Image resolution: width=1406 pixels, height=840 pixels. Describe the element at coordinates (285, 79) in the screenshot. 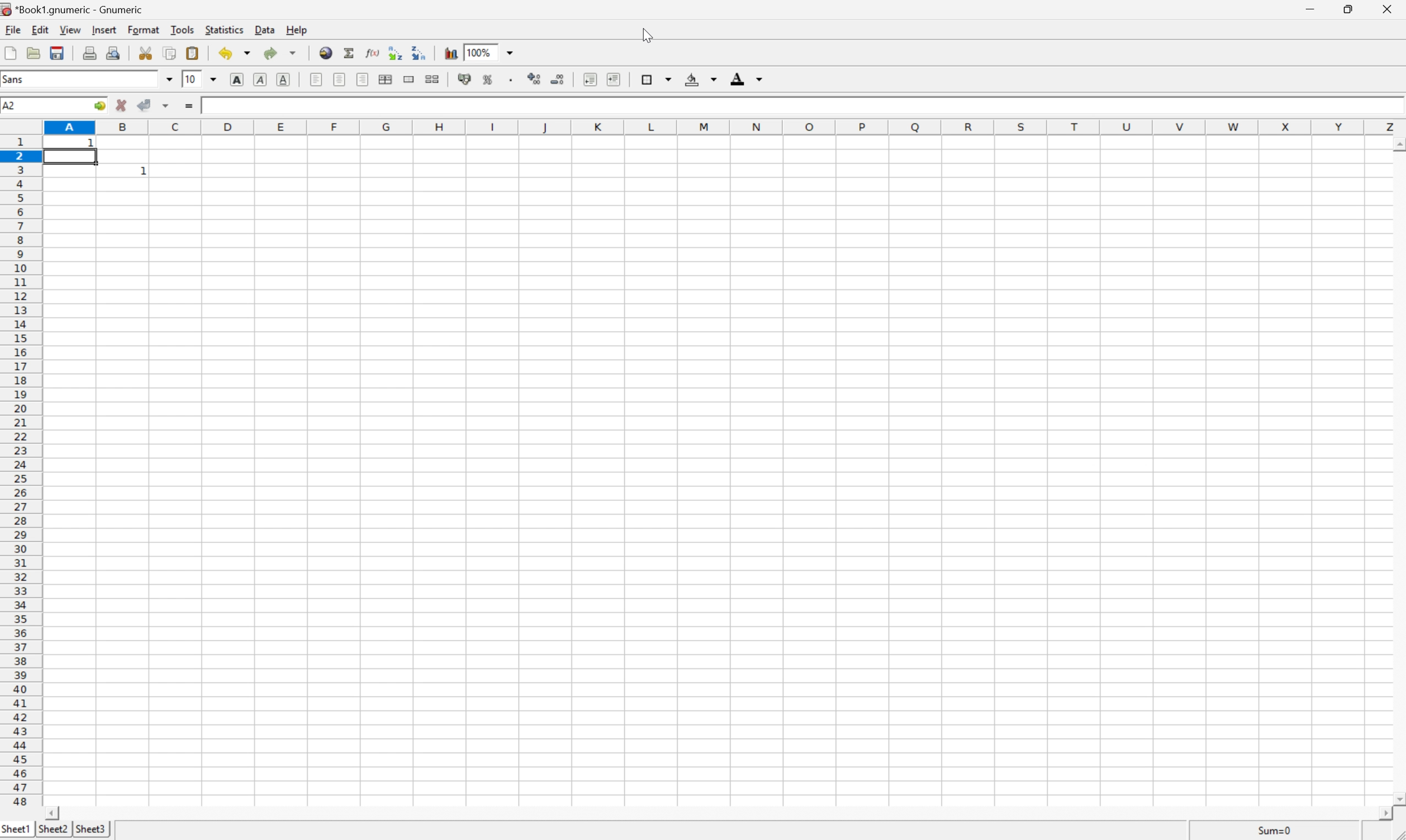

I see `underline` at that location.